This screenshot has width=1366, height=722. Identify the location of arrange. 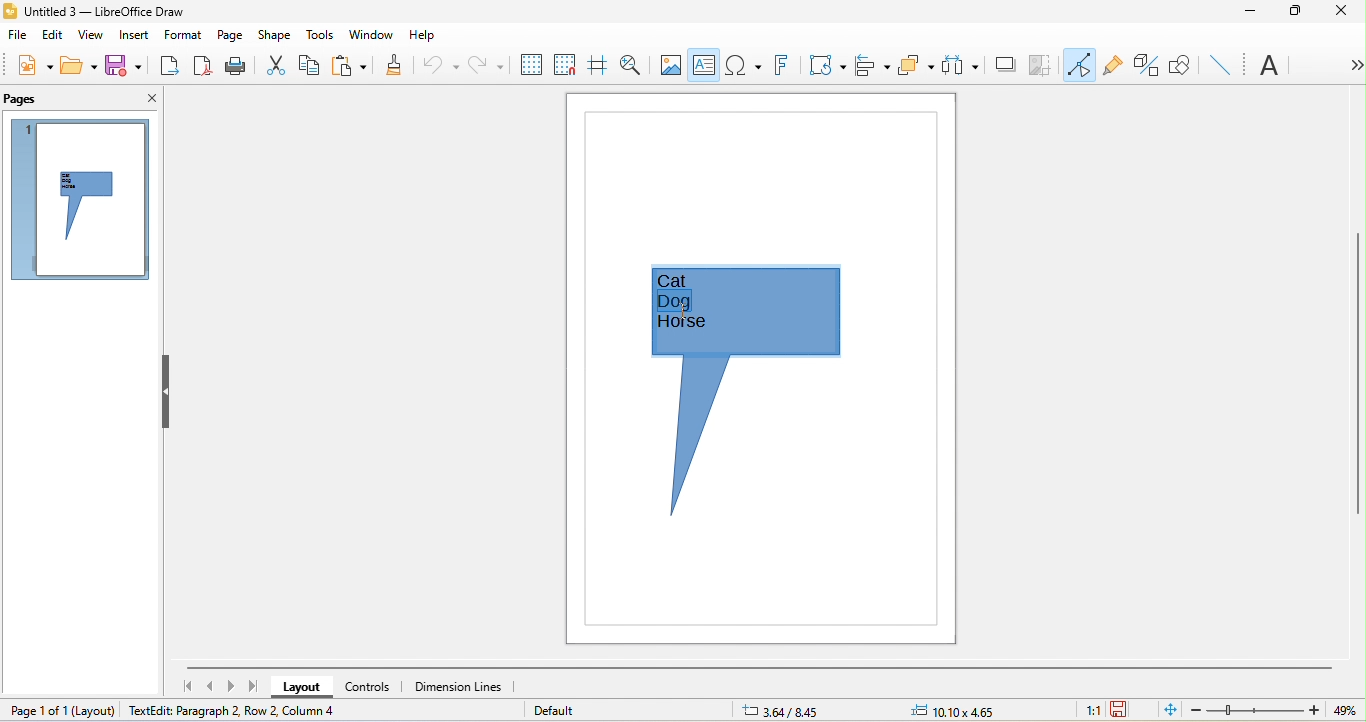
(917, 66).